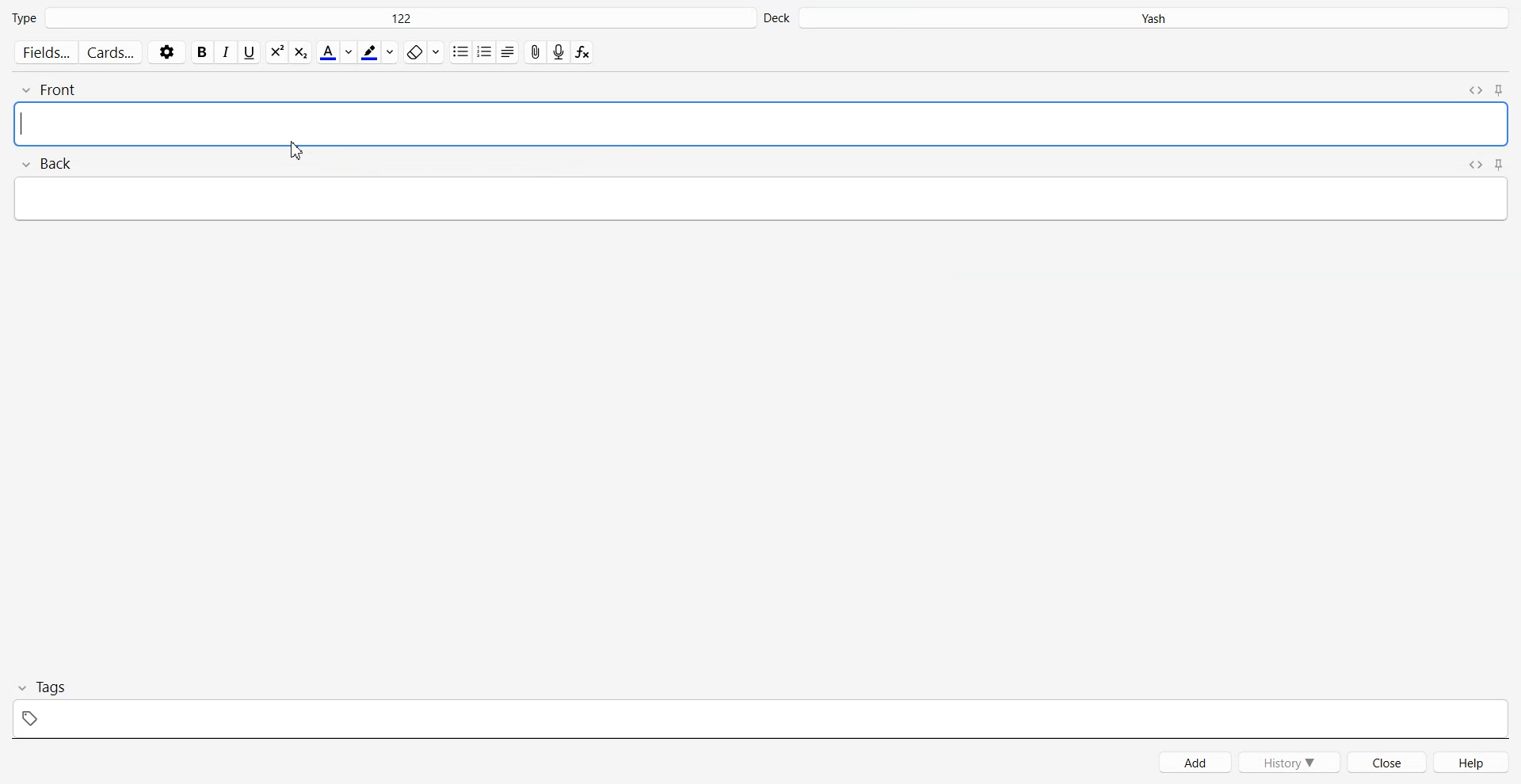  I want to click on Add, so click(1195, 763).